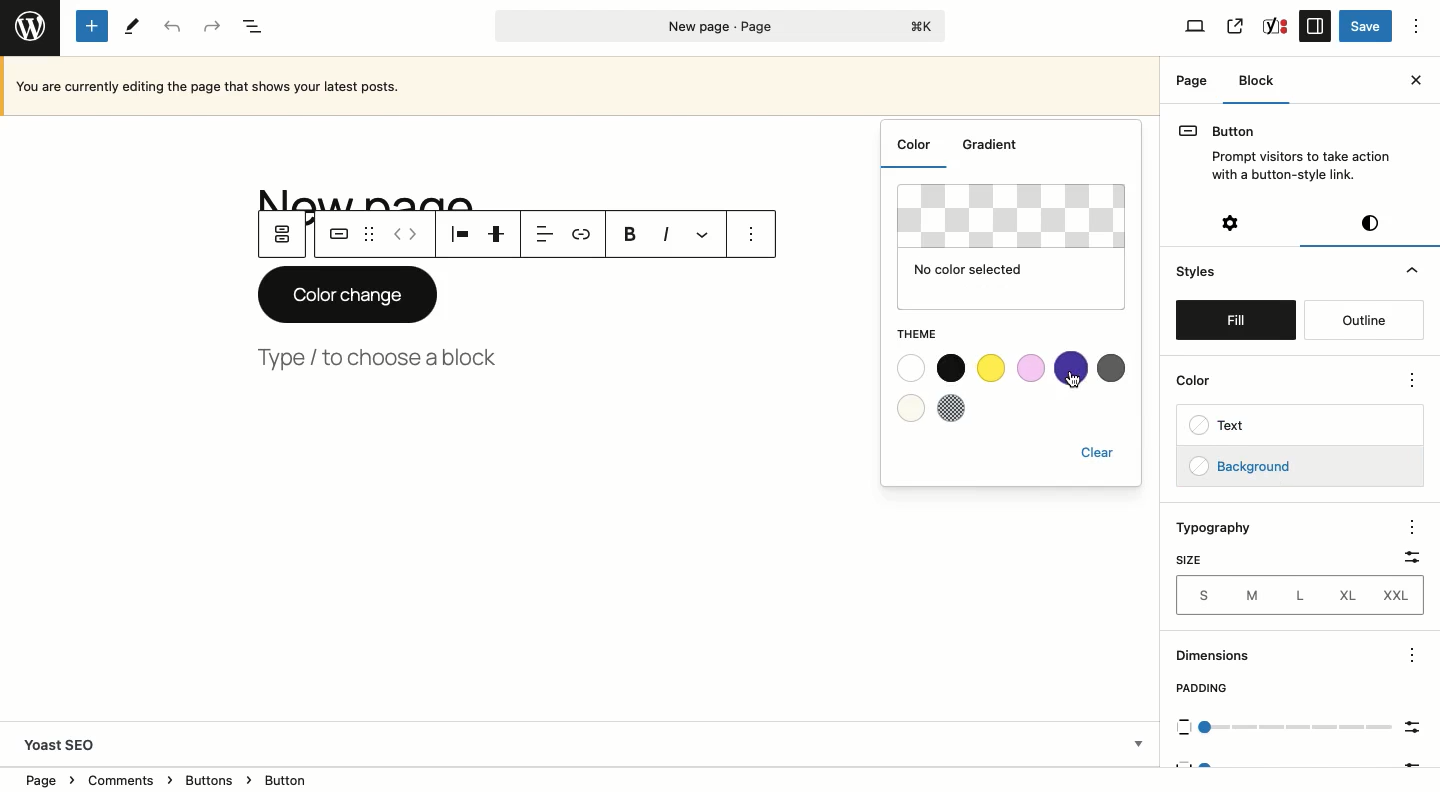 Image resolution: width=1440 pixels, height=792 pixels. Describe the element at coordinates (30, 26) in the screenshot. I see `Wordpress logo` at that location.